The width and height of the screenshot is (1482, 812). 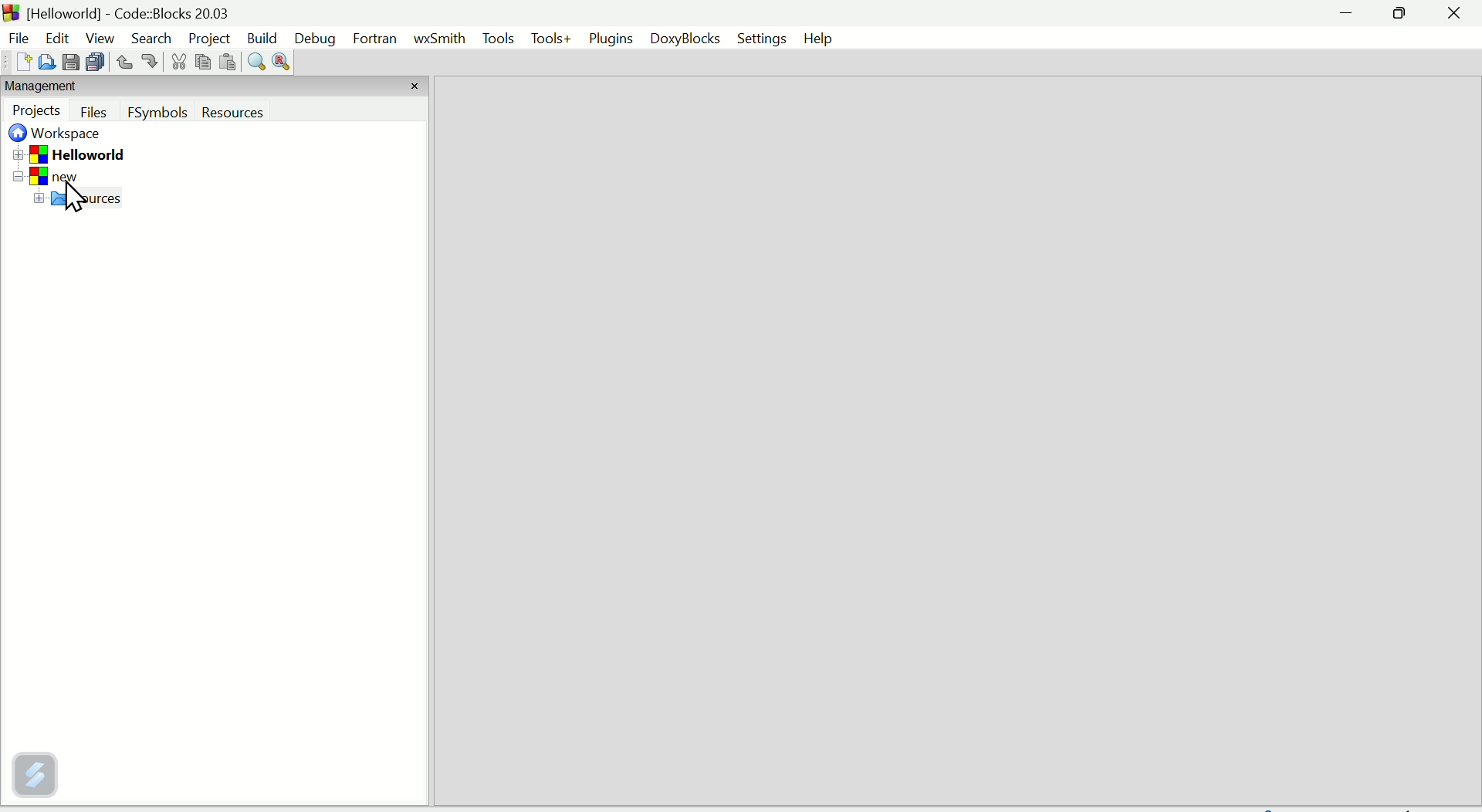 I want to click on Hello World, so click(x=91, y=154).